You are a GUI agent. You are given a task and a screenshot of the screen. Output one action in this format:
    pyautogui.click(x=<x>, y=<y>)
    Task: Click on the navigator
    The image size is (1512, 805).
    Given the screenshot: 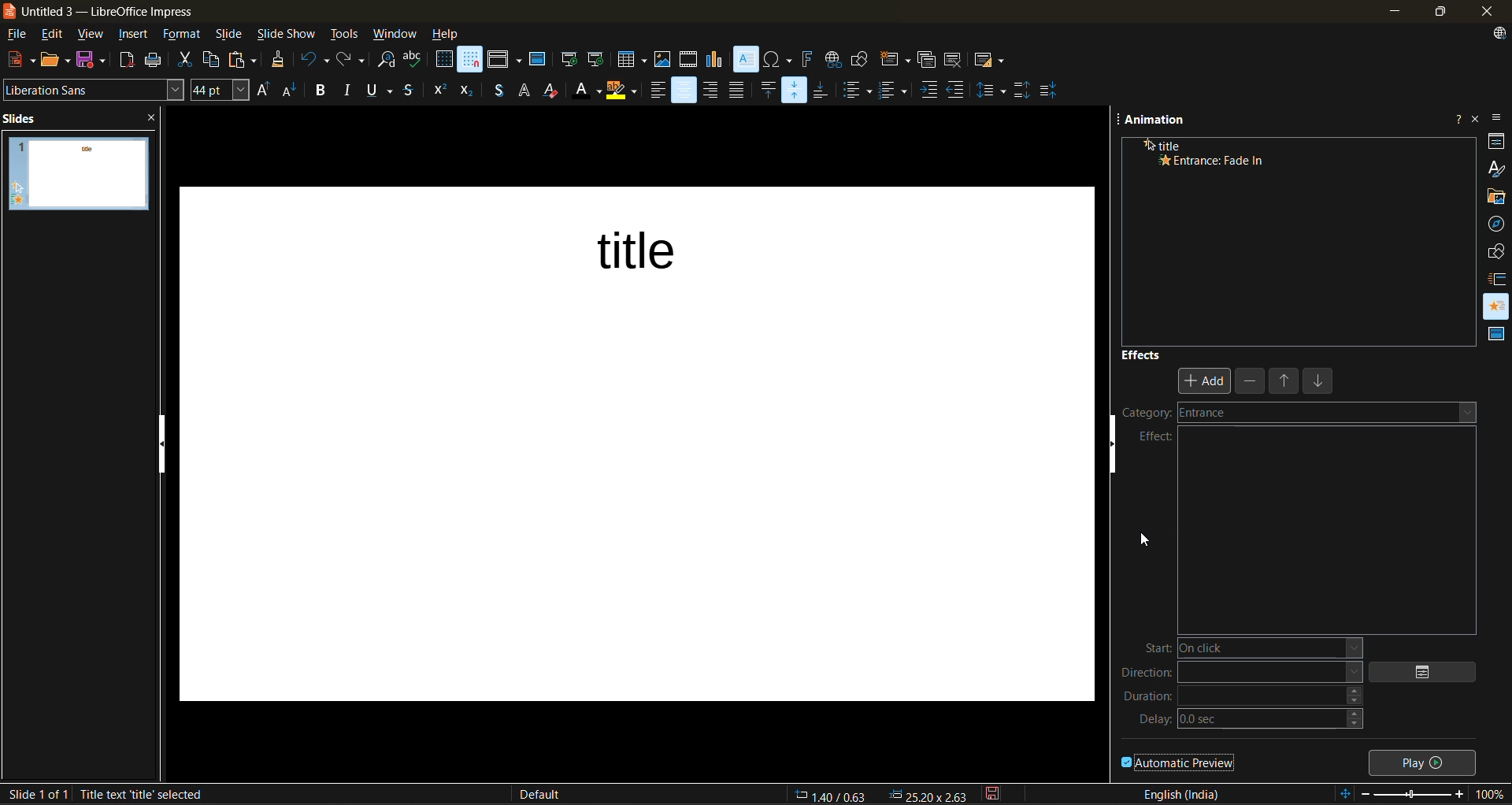 What is the action you would take?
    pyautogui.click(x=1497, y=224)
    